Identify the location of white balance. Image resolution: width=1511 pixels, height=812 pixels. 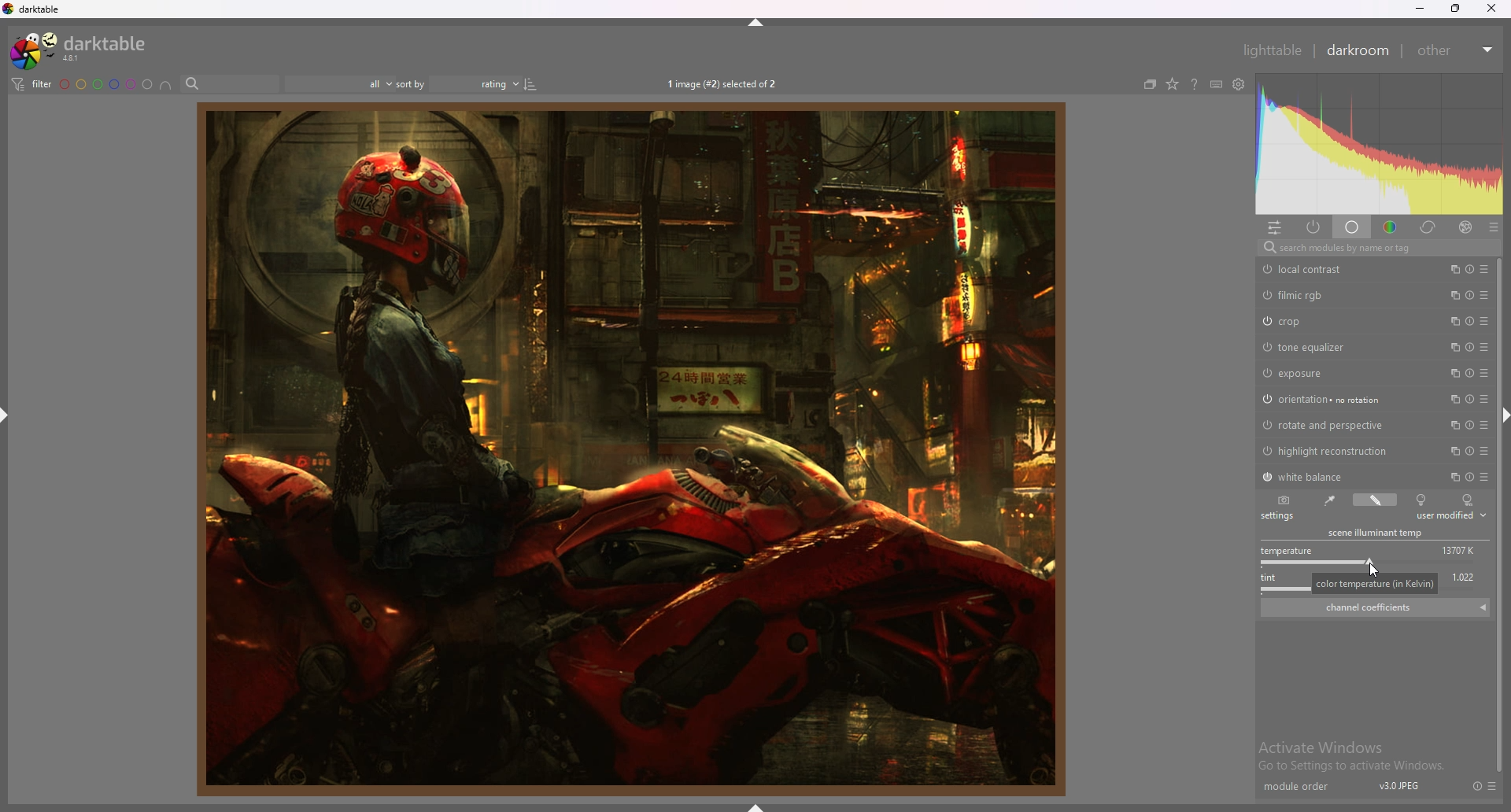
(1313, 476).